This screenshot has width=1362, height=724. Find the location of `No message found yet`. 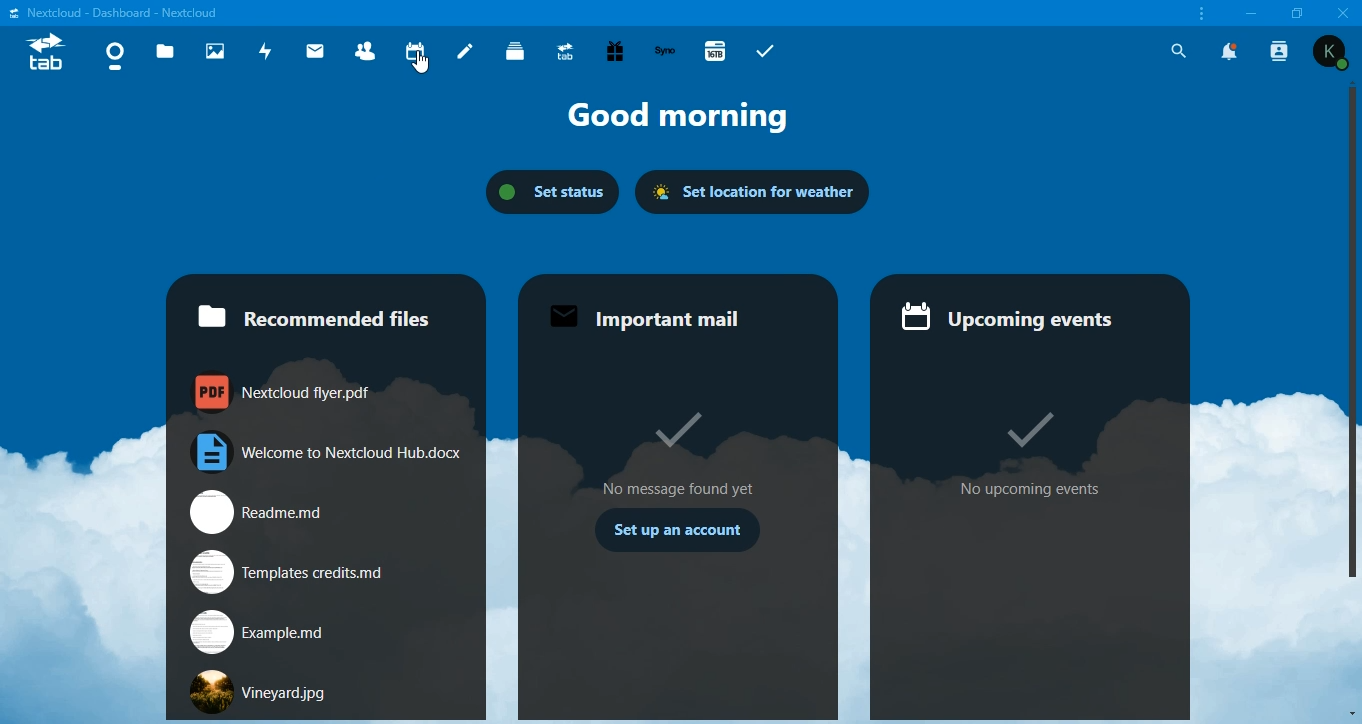

No message found yet is located at coordinates (680, 488).